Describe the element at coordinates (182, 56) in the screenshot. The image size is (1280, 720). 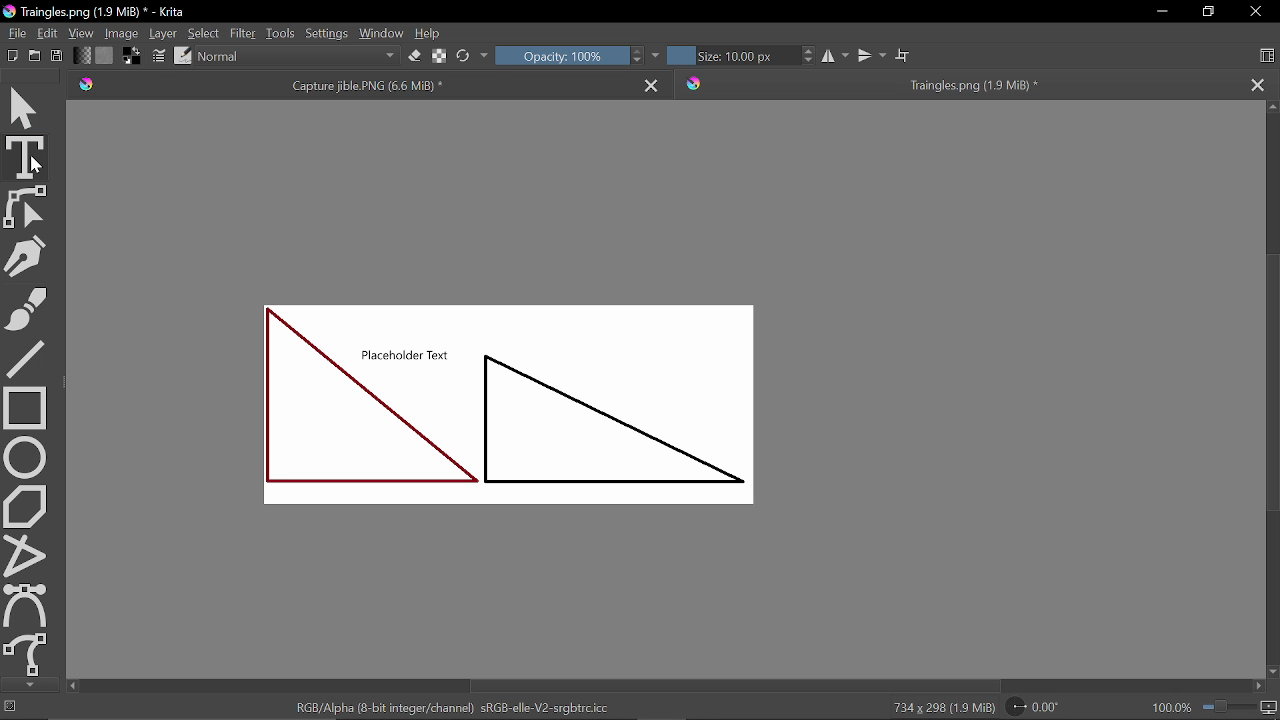
I see `choose brush preset` at that location.